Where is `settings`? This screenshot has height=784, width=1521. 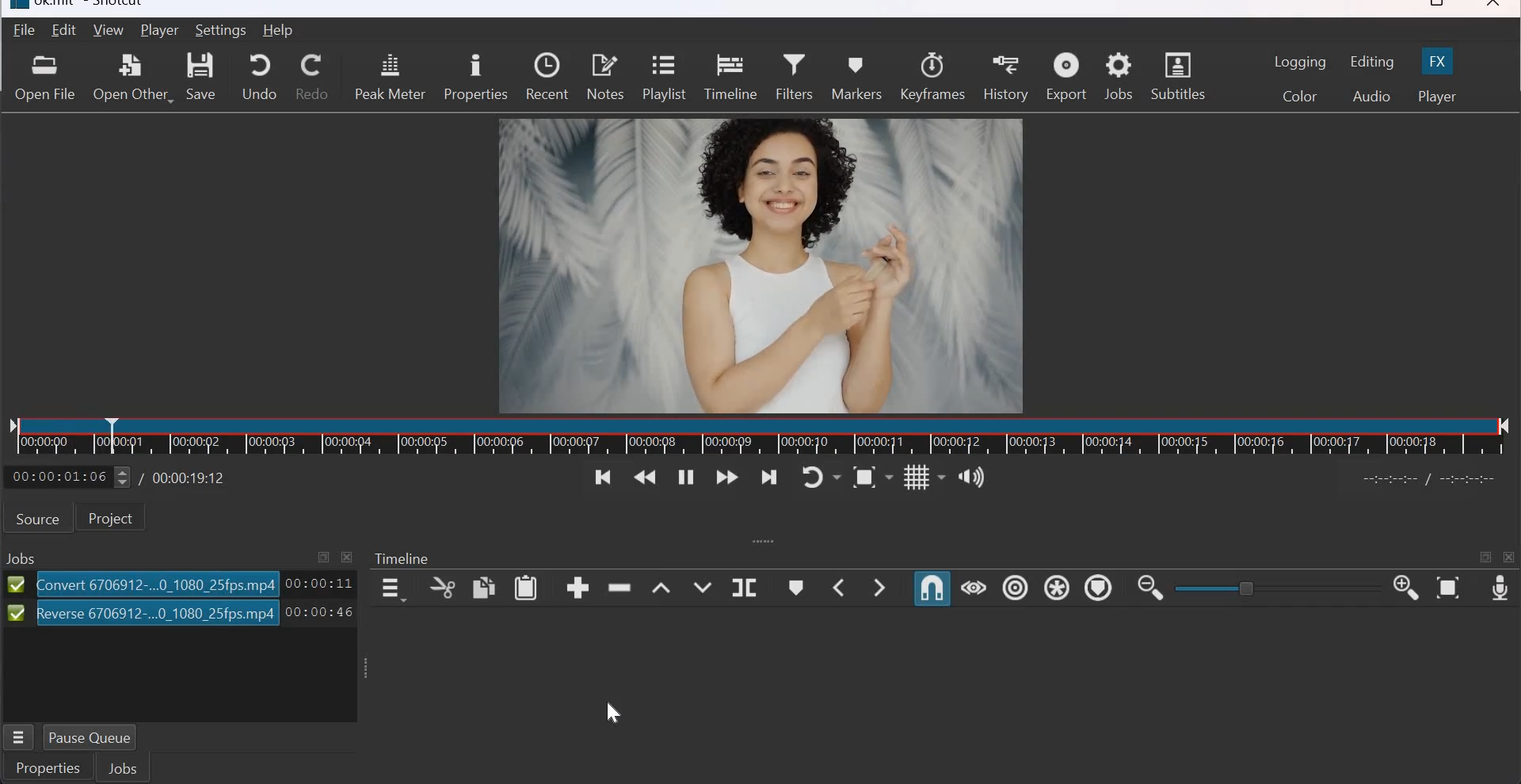 settings is located at coordinates (223, 30).